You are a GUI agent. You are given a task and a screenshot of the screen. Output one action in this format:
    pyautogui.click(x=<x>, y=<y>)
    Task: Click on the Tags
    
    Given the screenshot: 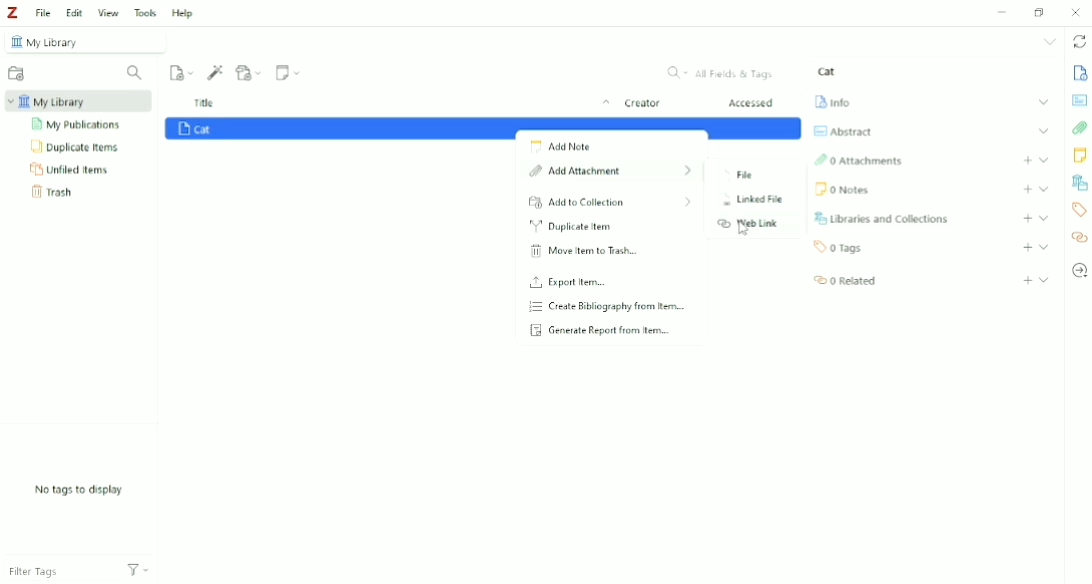 What is the action you would take?
    pyautogui.click(x=1078, y=209)
    